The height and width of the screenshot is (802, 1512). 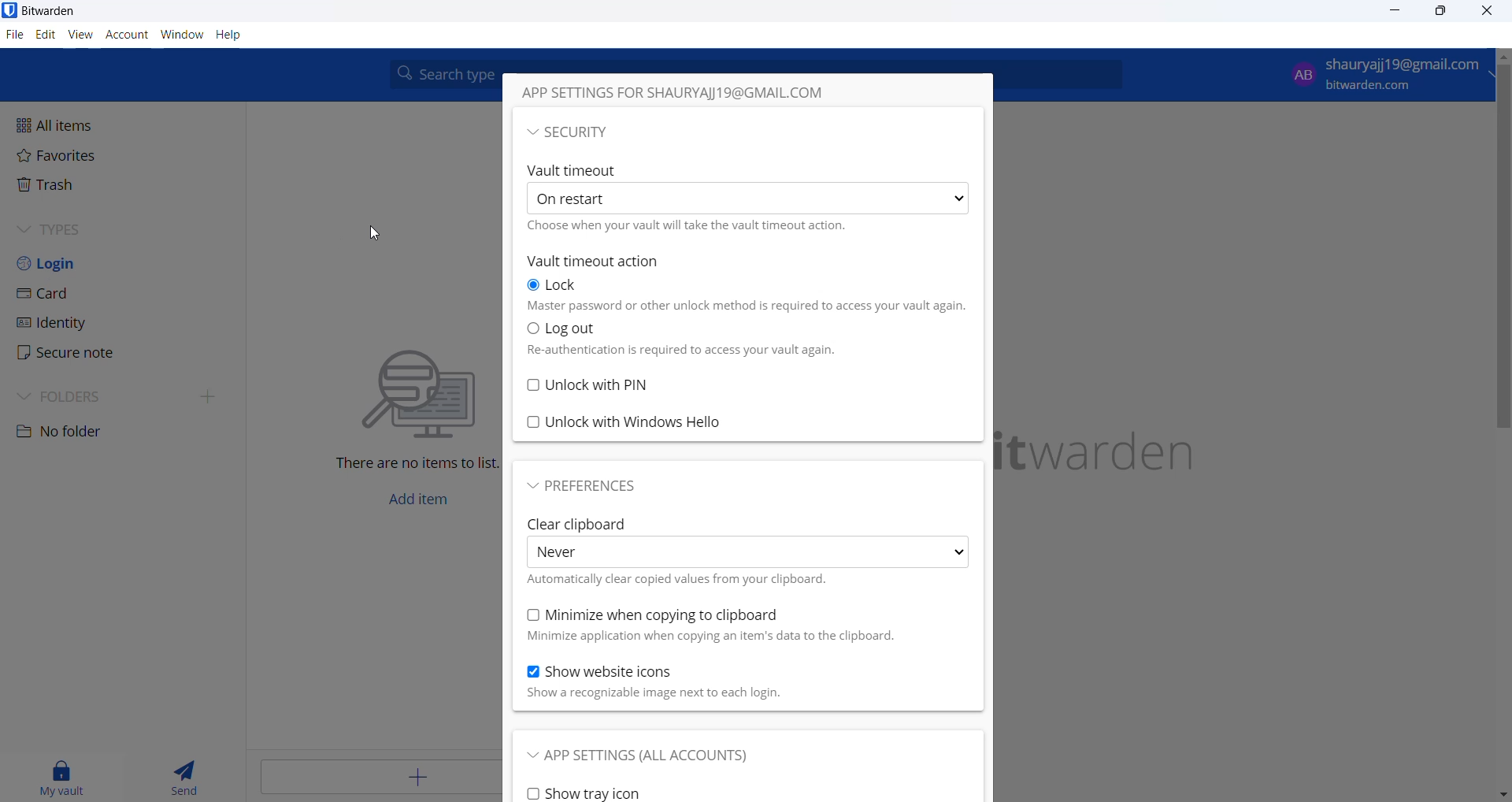 What do you see at coordinates (612, 385) in the screenshot?
I see `unlock with pin` at bounding box center [612, 385].